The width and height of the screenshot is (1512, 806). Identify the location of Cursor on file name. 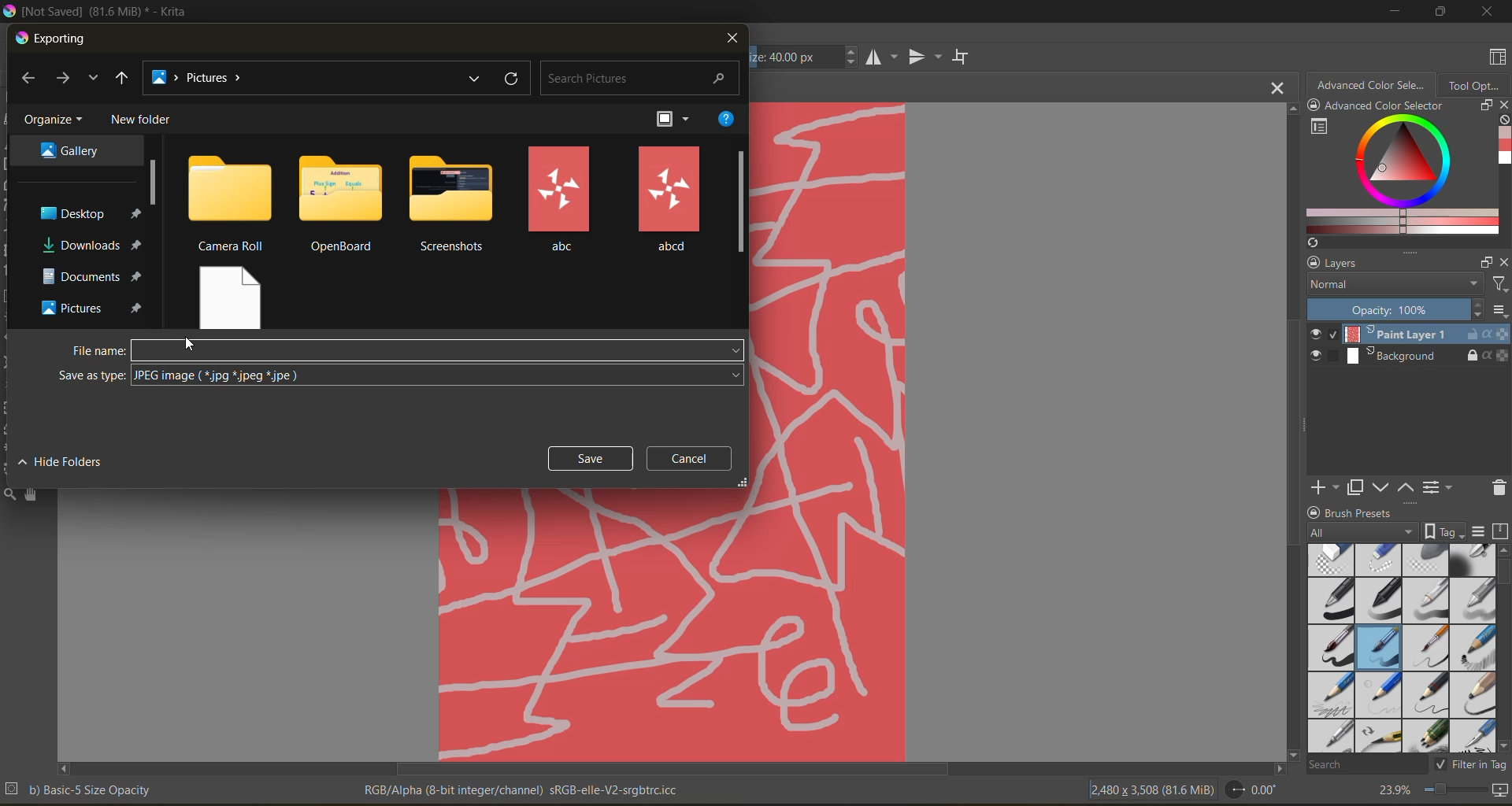
(439, 350).